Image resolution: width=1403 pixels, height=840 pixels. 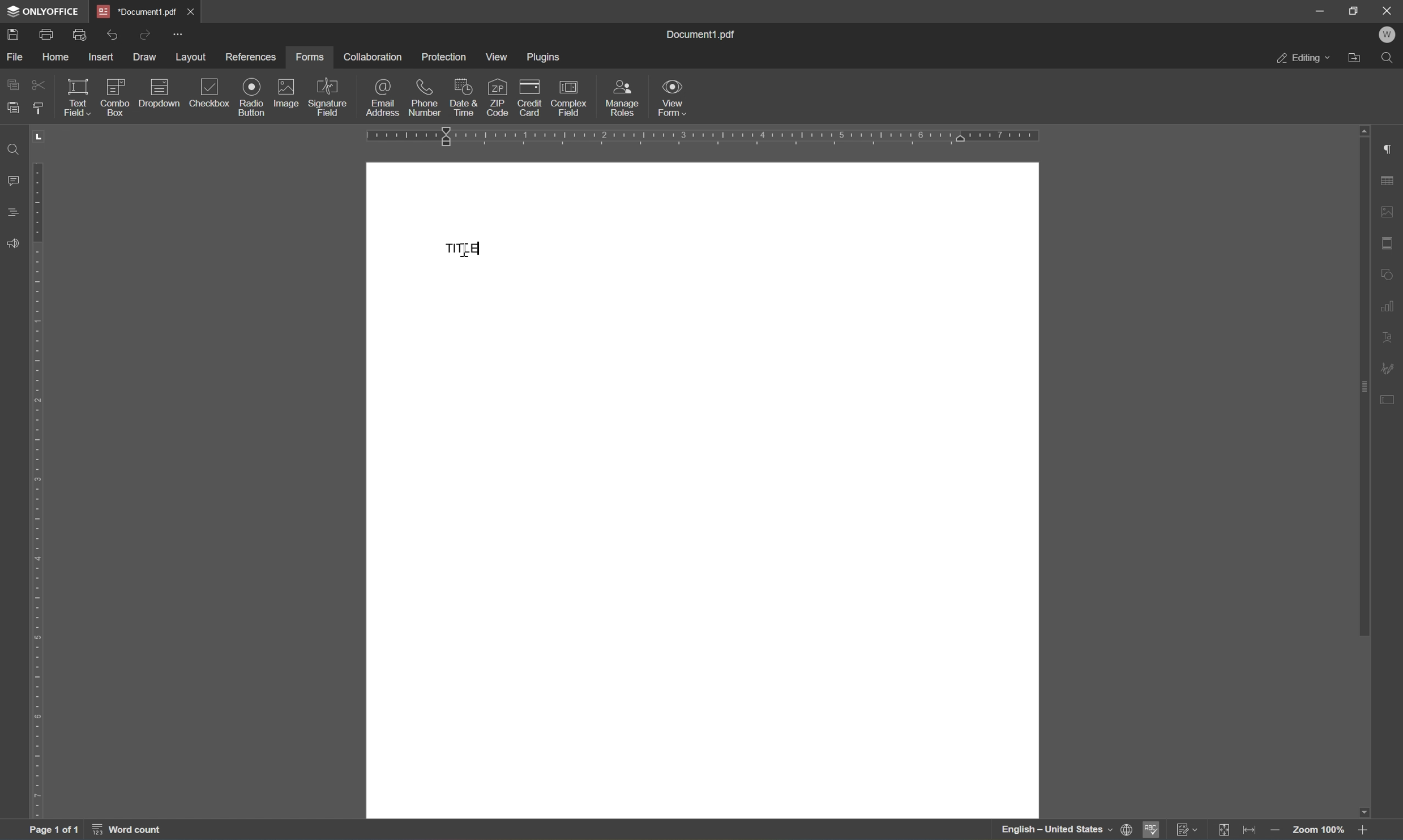 What do you see at coordinates (41, 84) in the screenshot?
I see `cut` at bounding box center [41, 84].